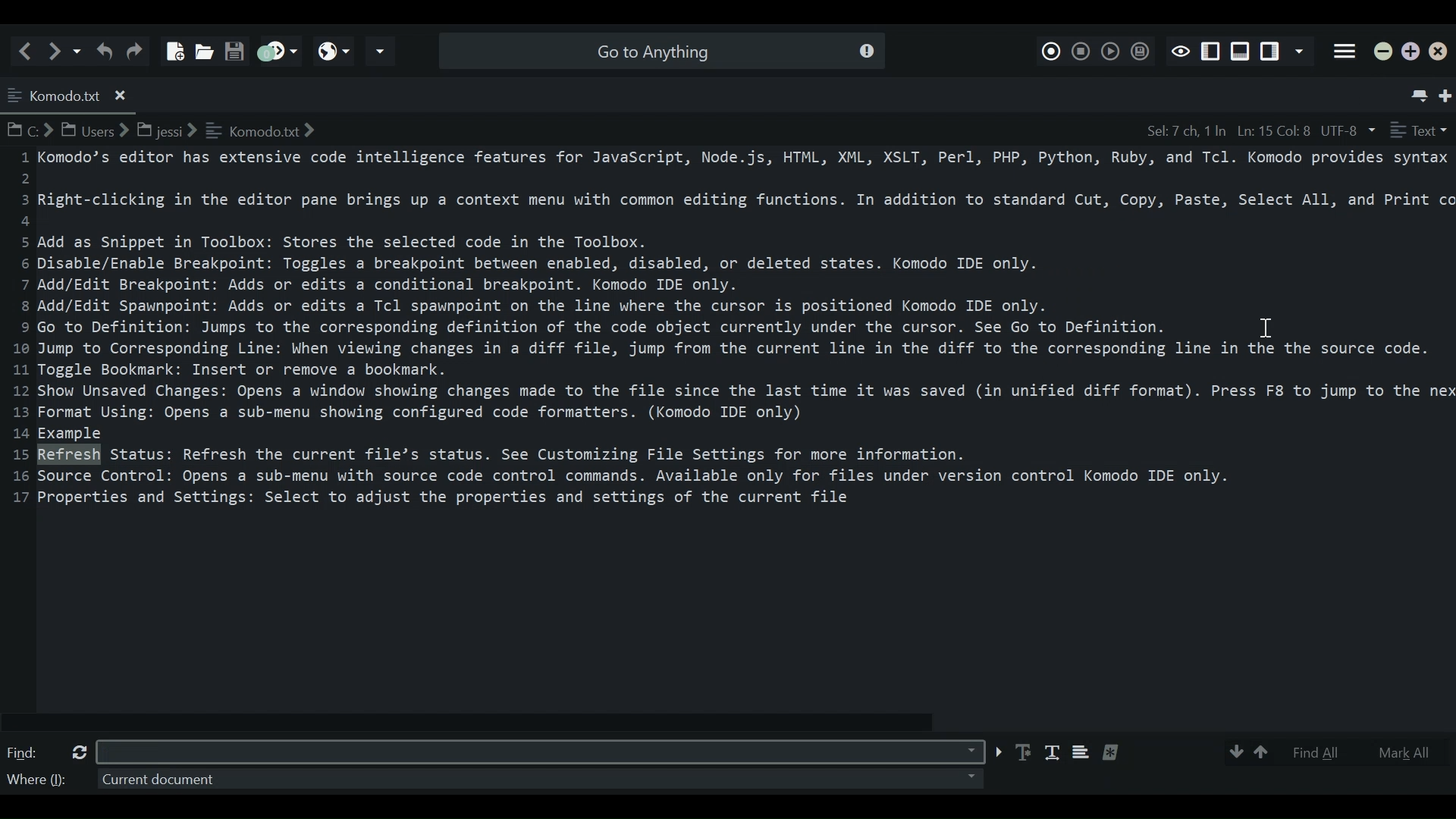 The width and height of the screenshot is (1456, 819). I want to click on Play Last Macro, so click(1109, 50).